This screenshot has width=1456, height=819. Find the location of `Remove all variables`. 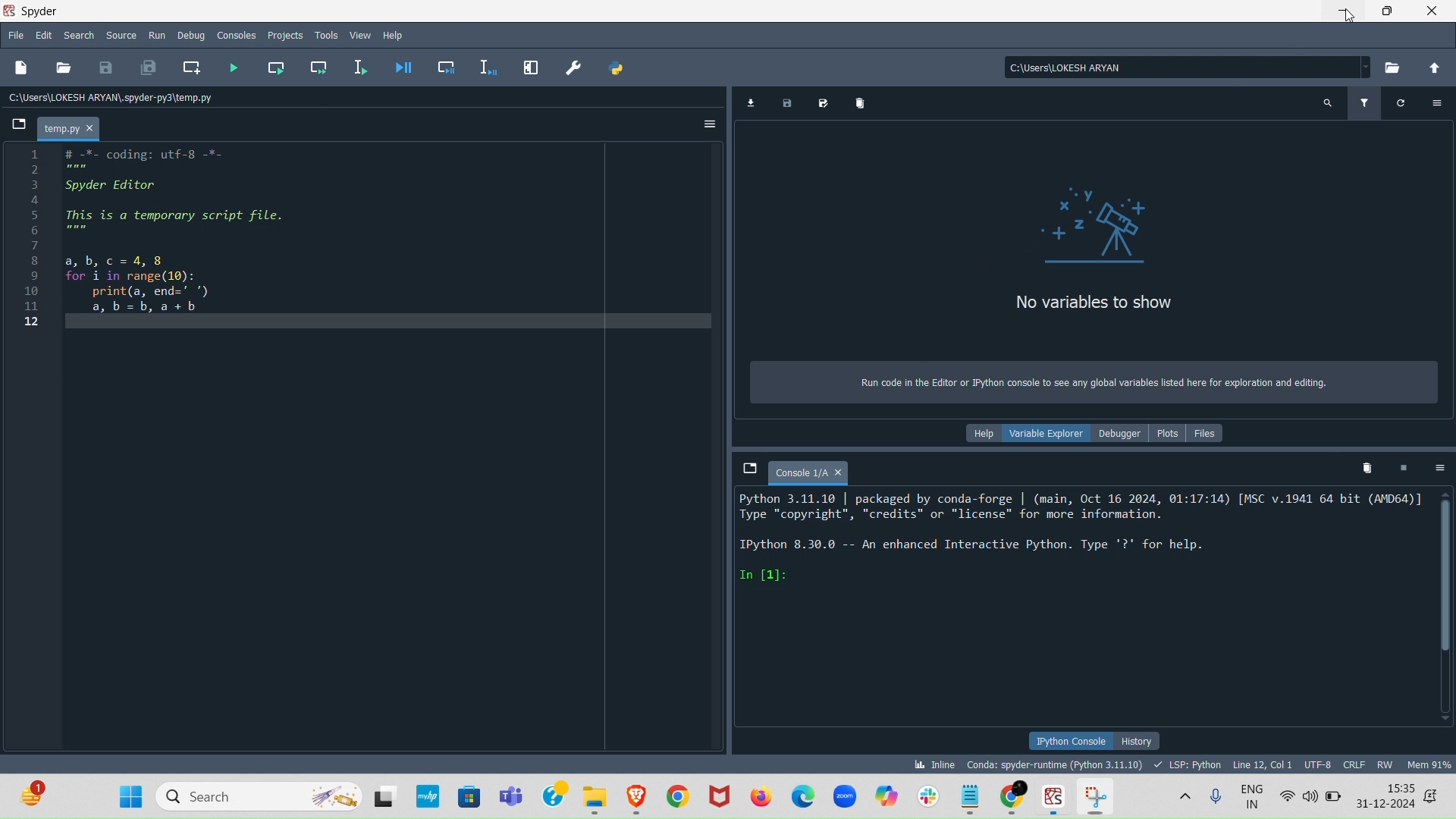

Remove all variables is located at coordinates (859, 102).